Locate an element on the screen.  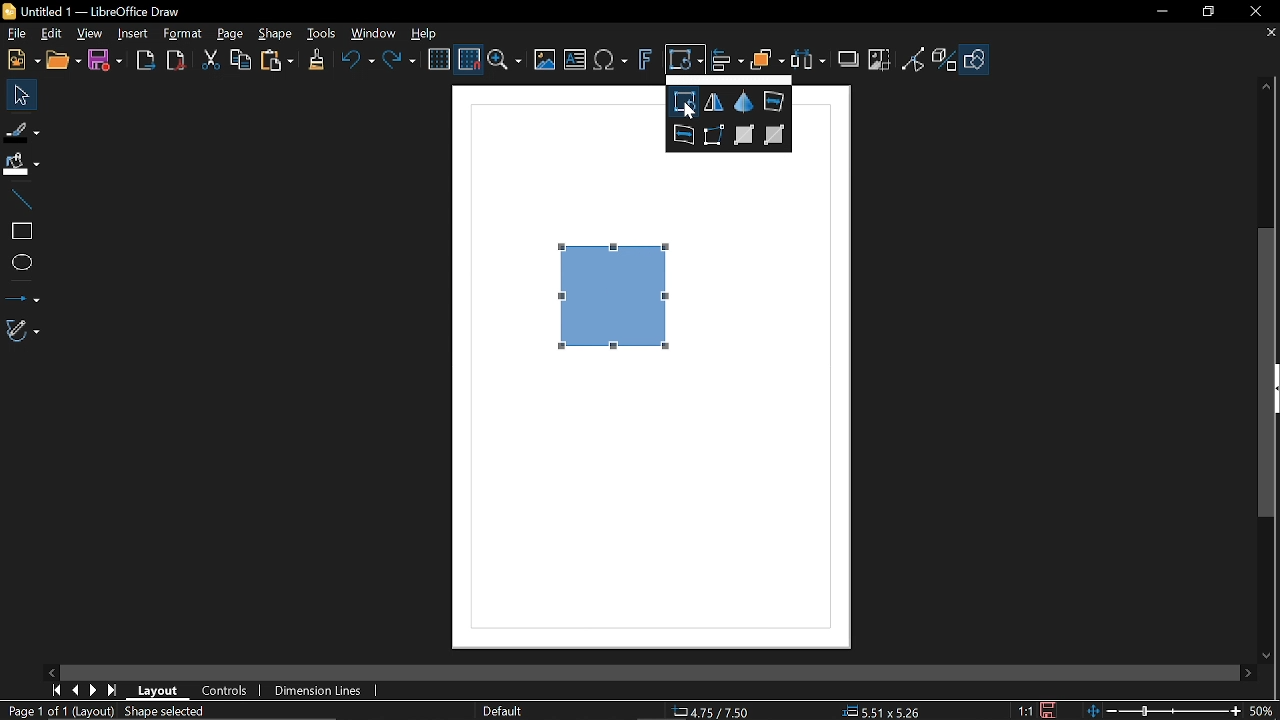
HElp is located at coordinates (422, 31).